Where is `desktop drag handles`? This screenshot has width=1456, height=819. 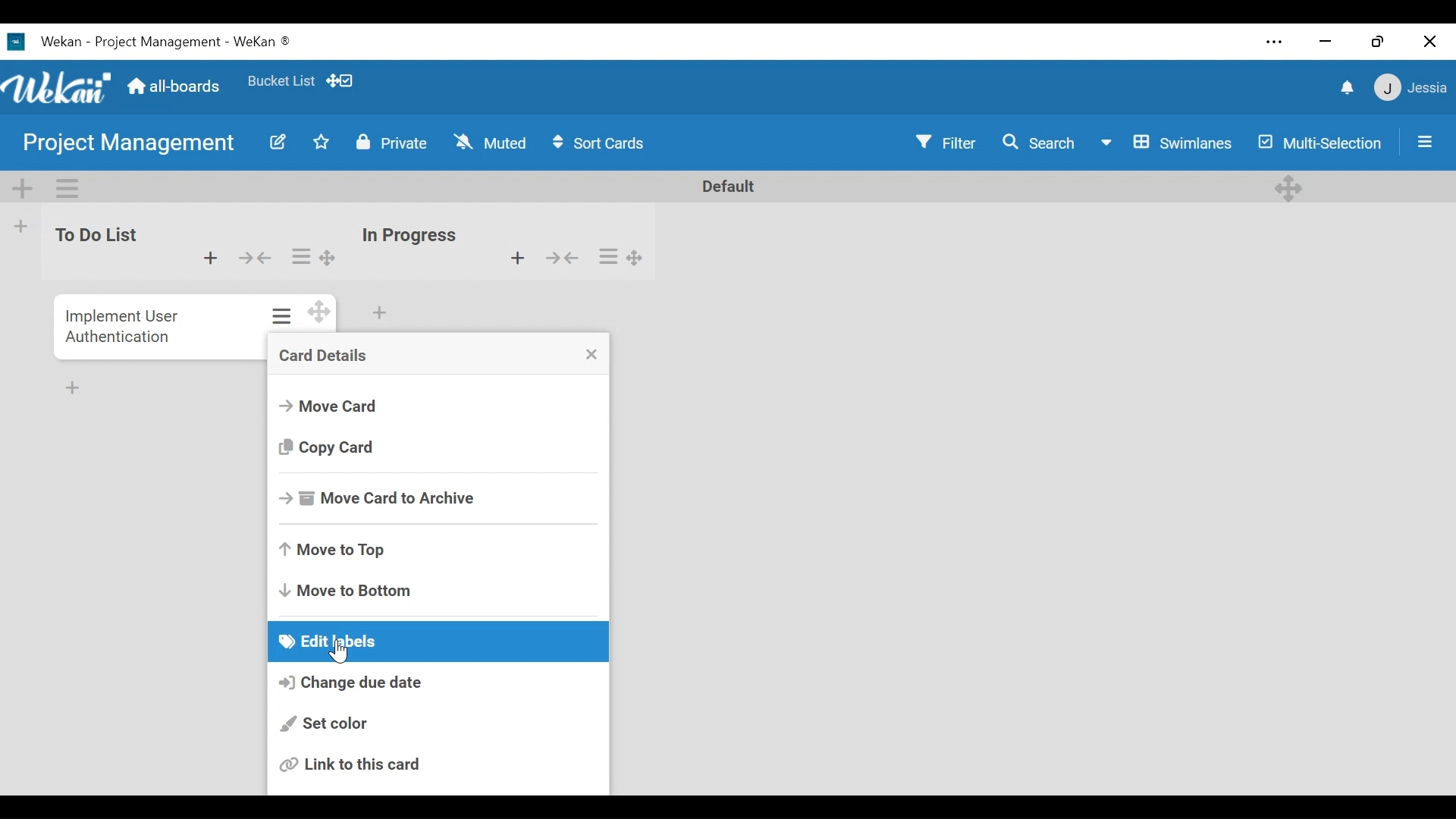
desktop drag handles is located at coordinates (318, 311).